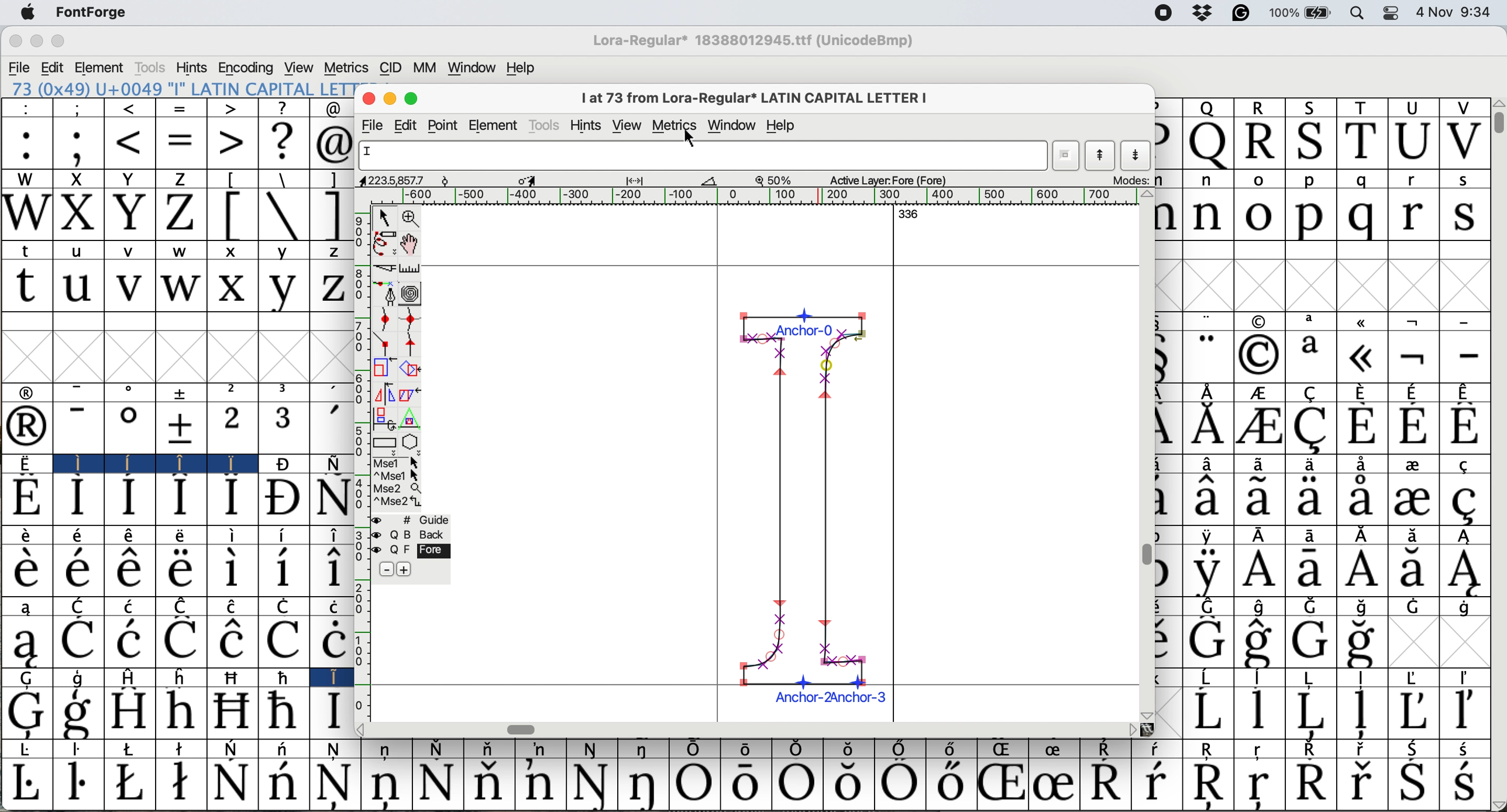 This screenshot has width=1507, height=812. What do you see at coordinates (18, 68) in the screenshot?
I see `file` at bounding box center [18, 68].